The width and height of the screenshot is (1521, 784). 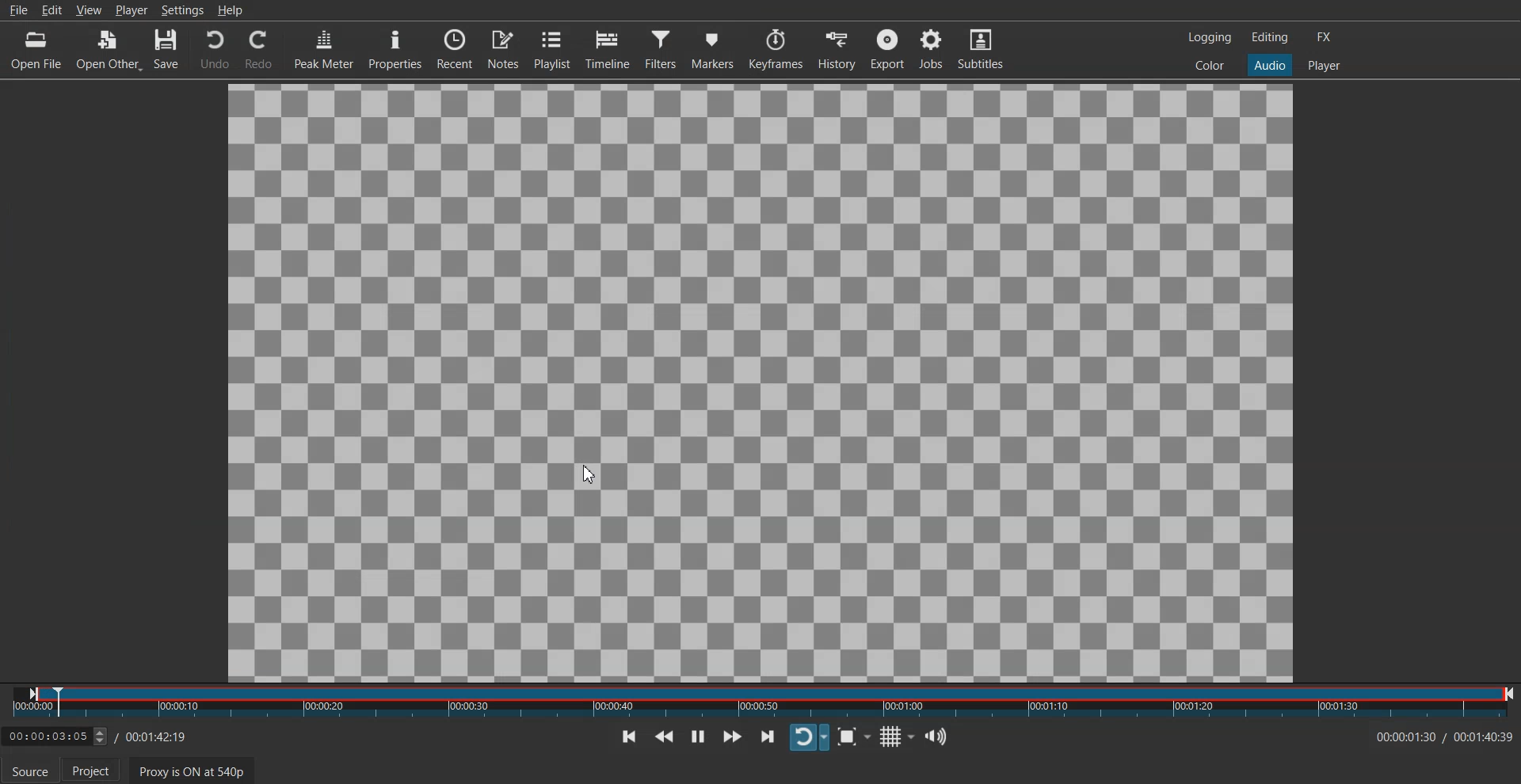 What do you see at coordinates (661, 49) in the screenshot?
I see `Filter` at bounding box center [661, 49].